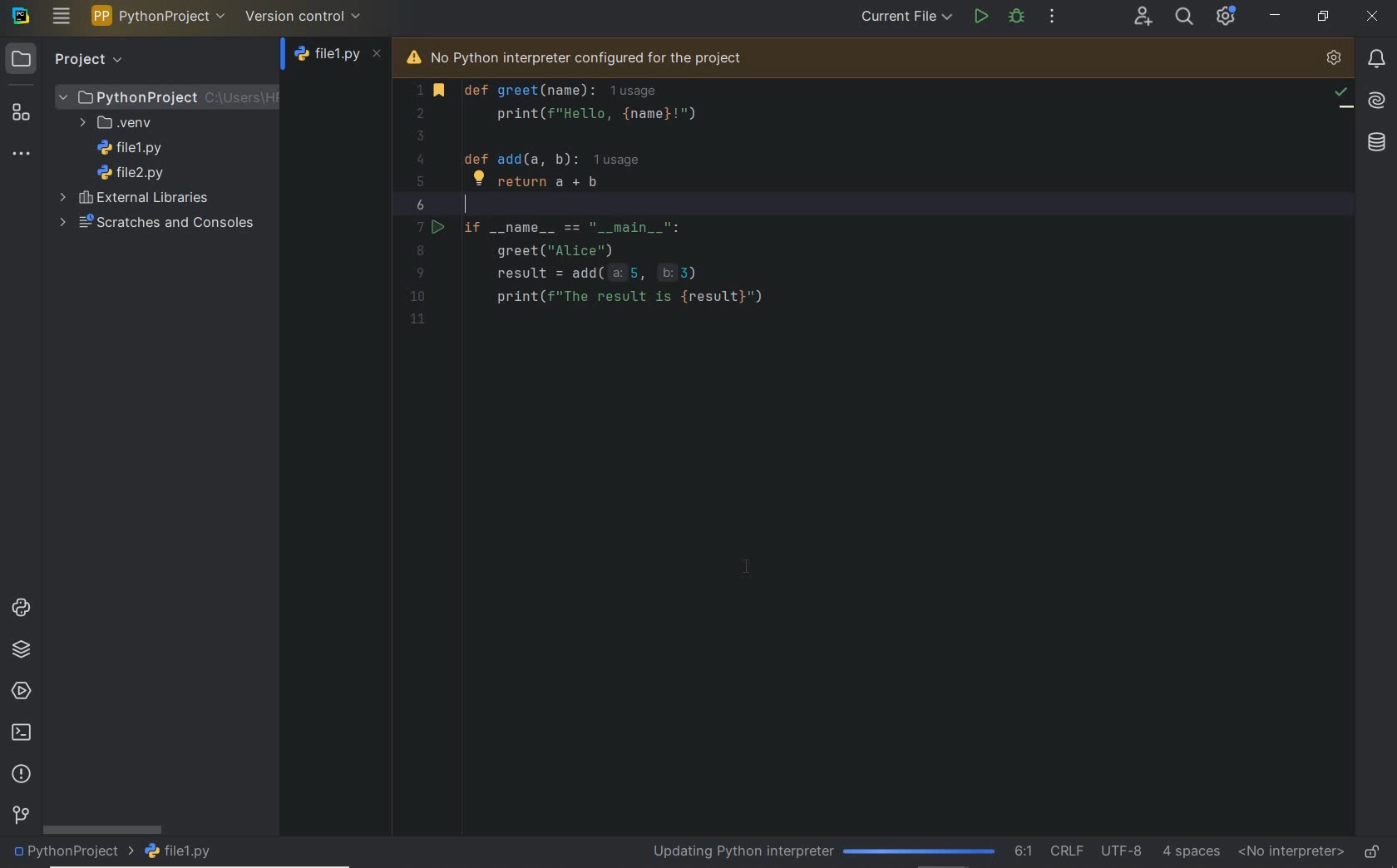 The height and width of the screenshot is (868, 1397). Describe the element at coordinates (1053, 17) in the screenshot. I see `more actions` at that location.